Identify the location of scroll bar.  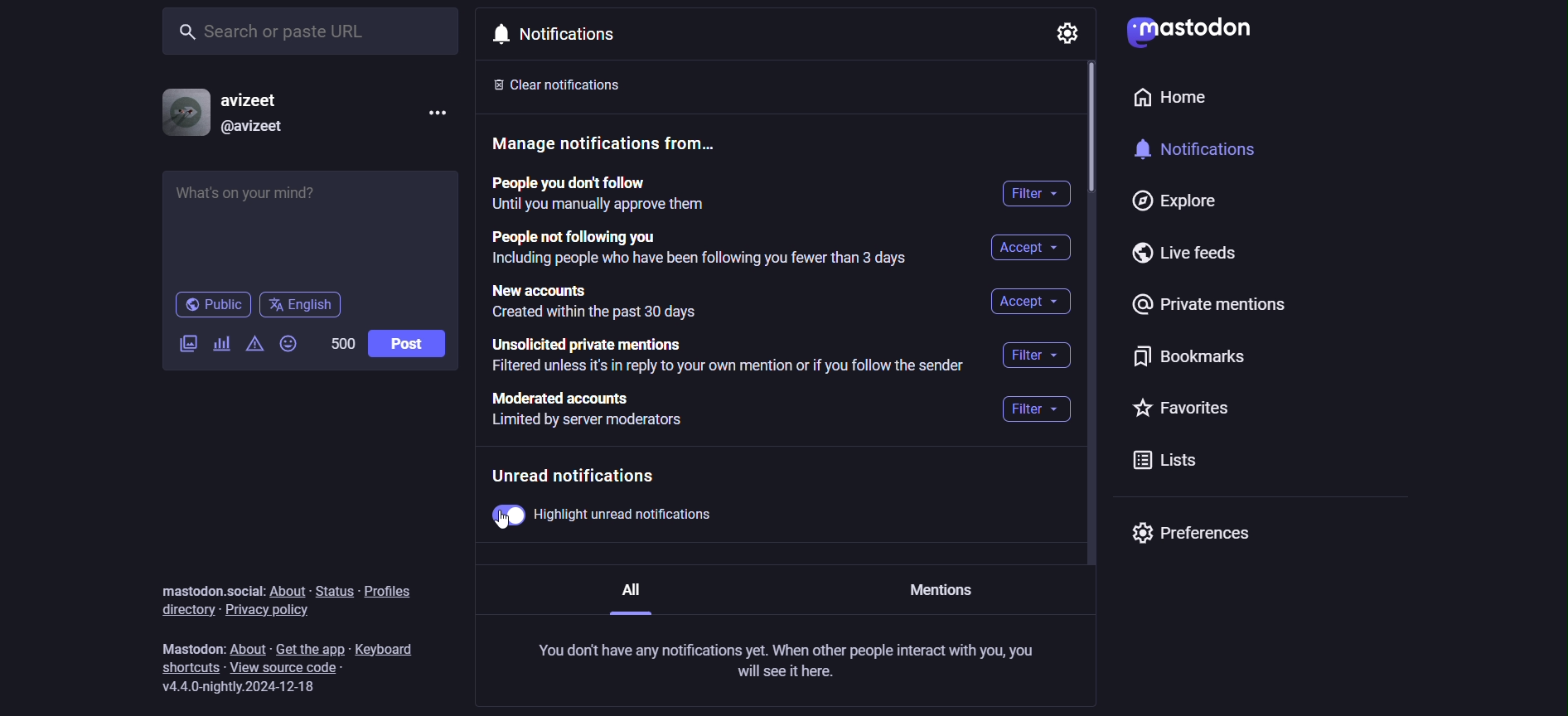
(1090, 128).